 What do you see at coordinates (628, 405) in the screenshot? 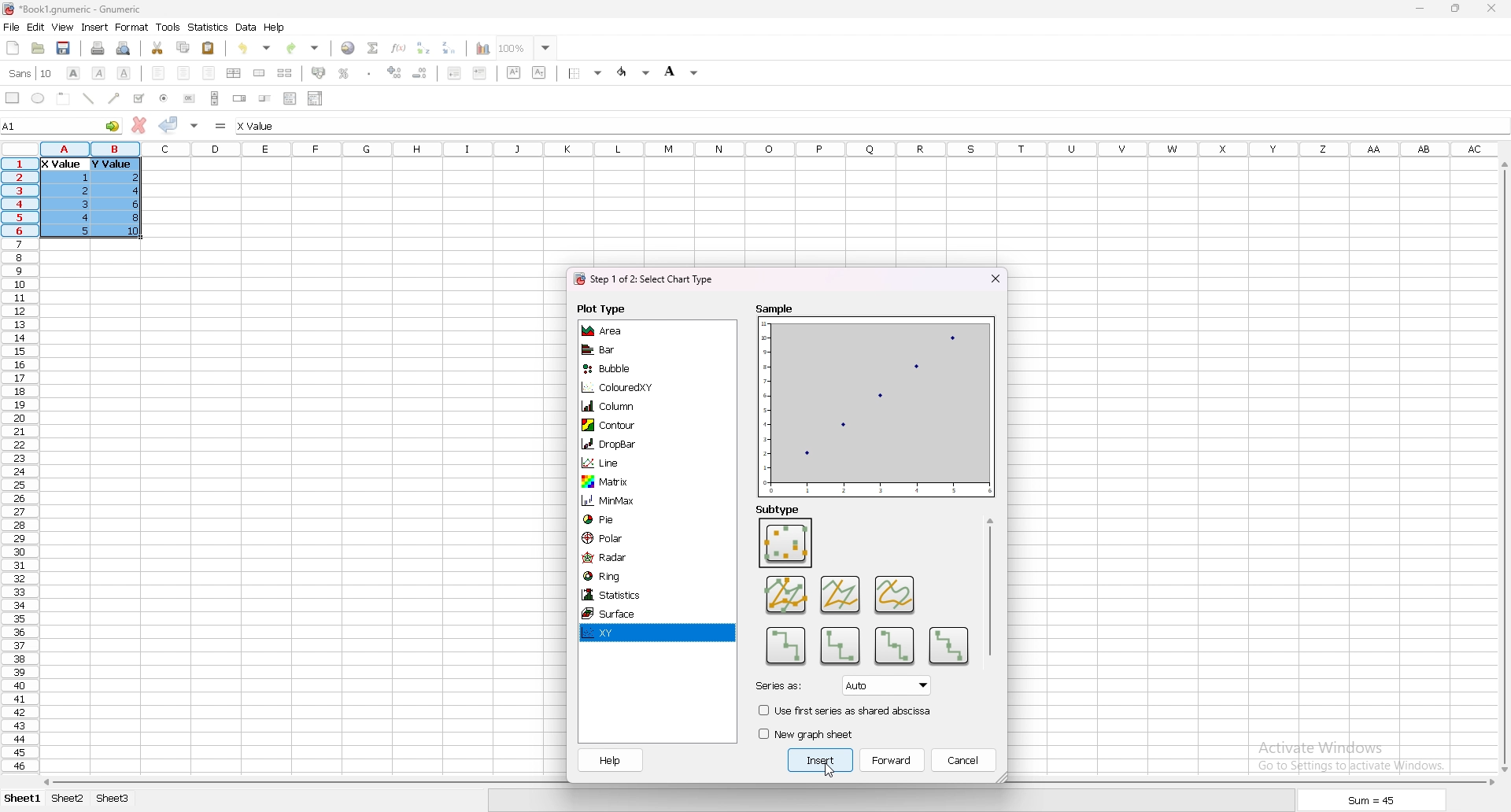
I see `column` at bounding box center [628, 405].